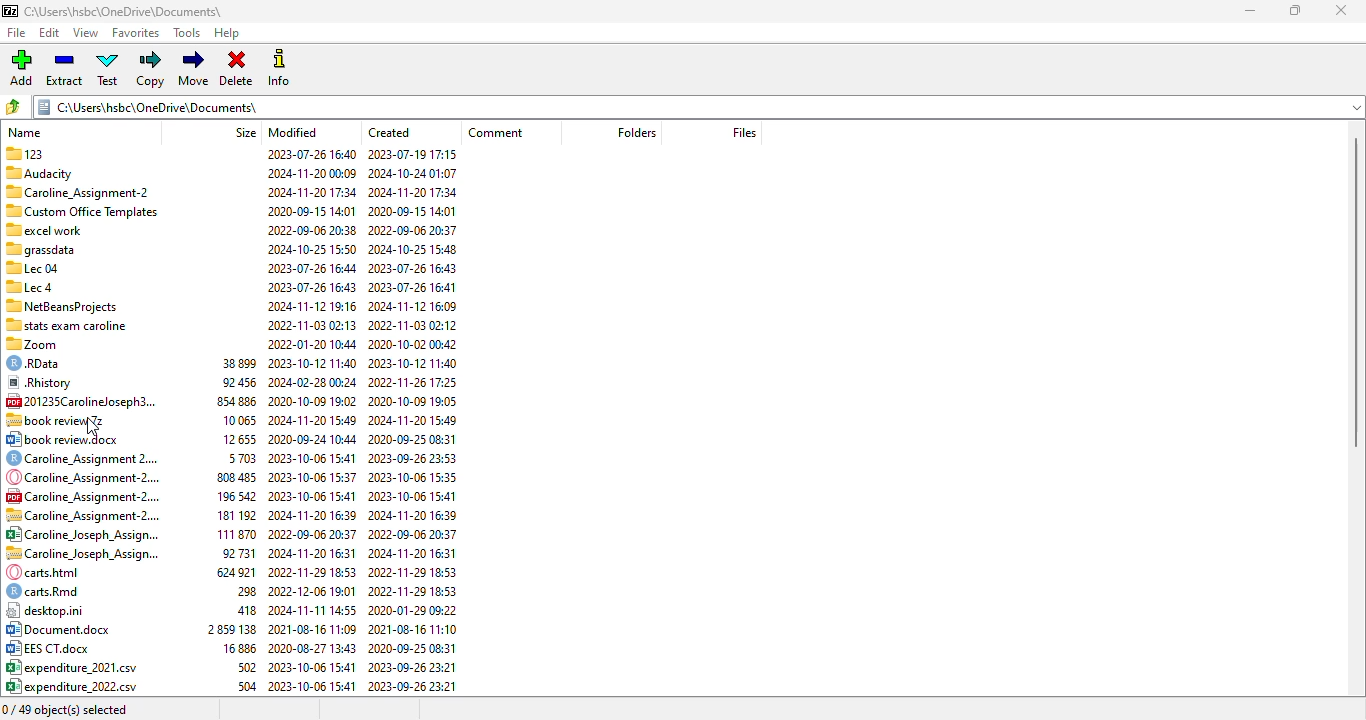  I want to click on “stats exam caroline, so click(67, 325).